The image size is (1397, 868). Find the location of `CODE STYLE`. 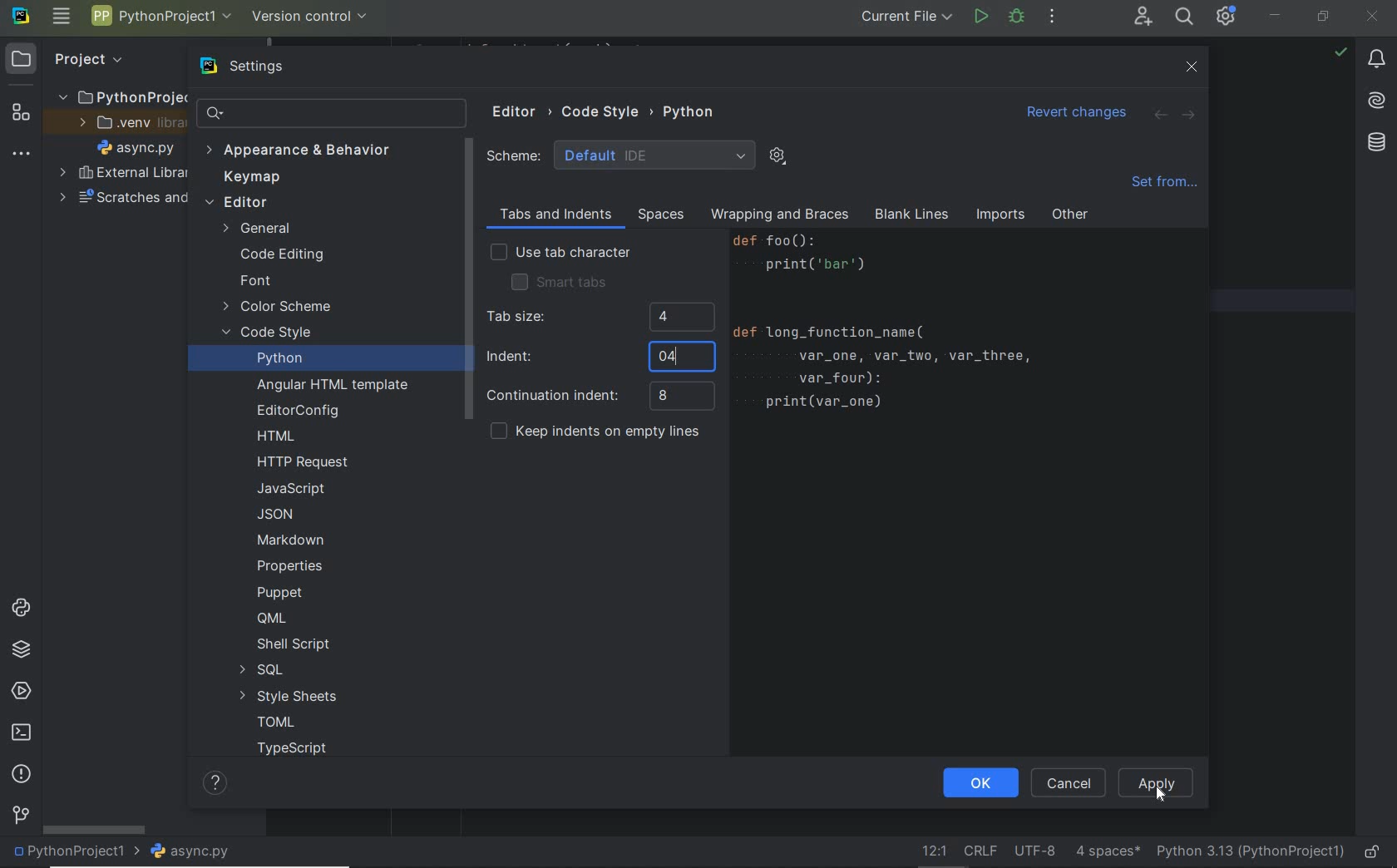

CODE STYLE is located at coordinates (609, 110).